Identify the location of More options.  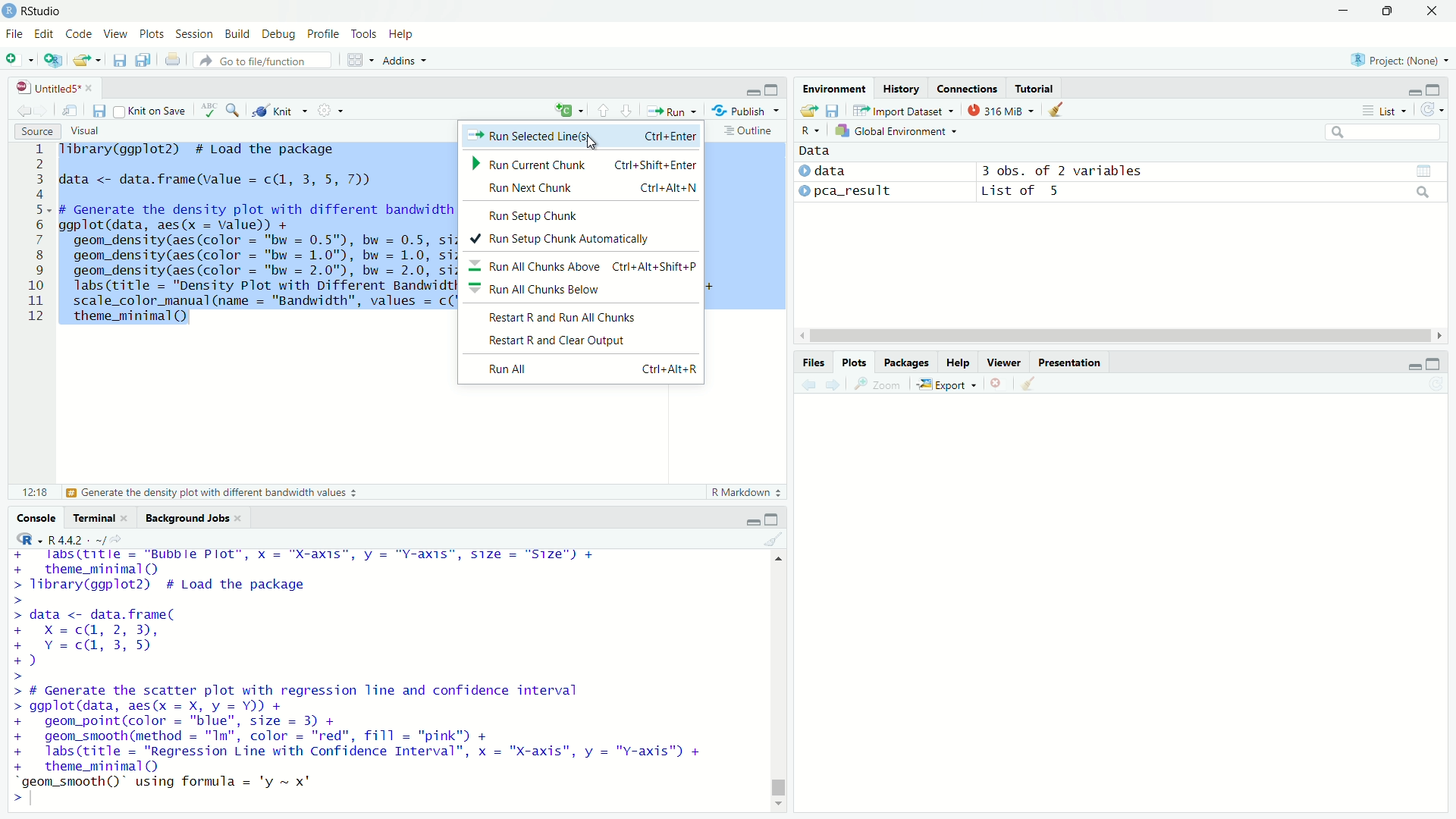
(330, 110).